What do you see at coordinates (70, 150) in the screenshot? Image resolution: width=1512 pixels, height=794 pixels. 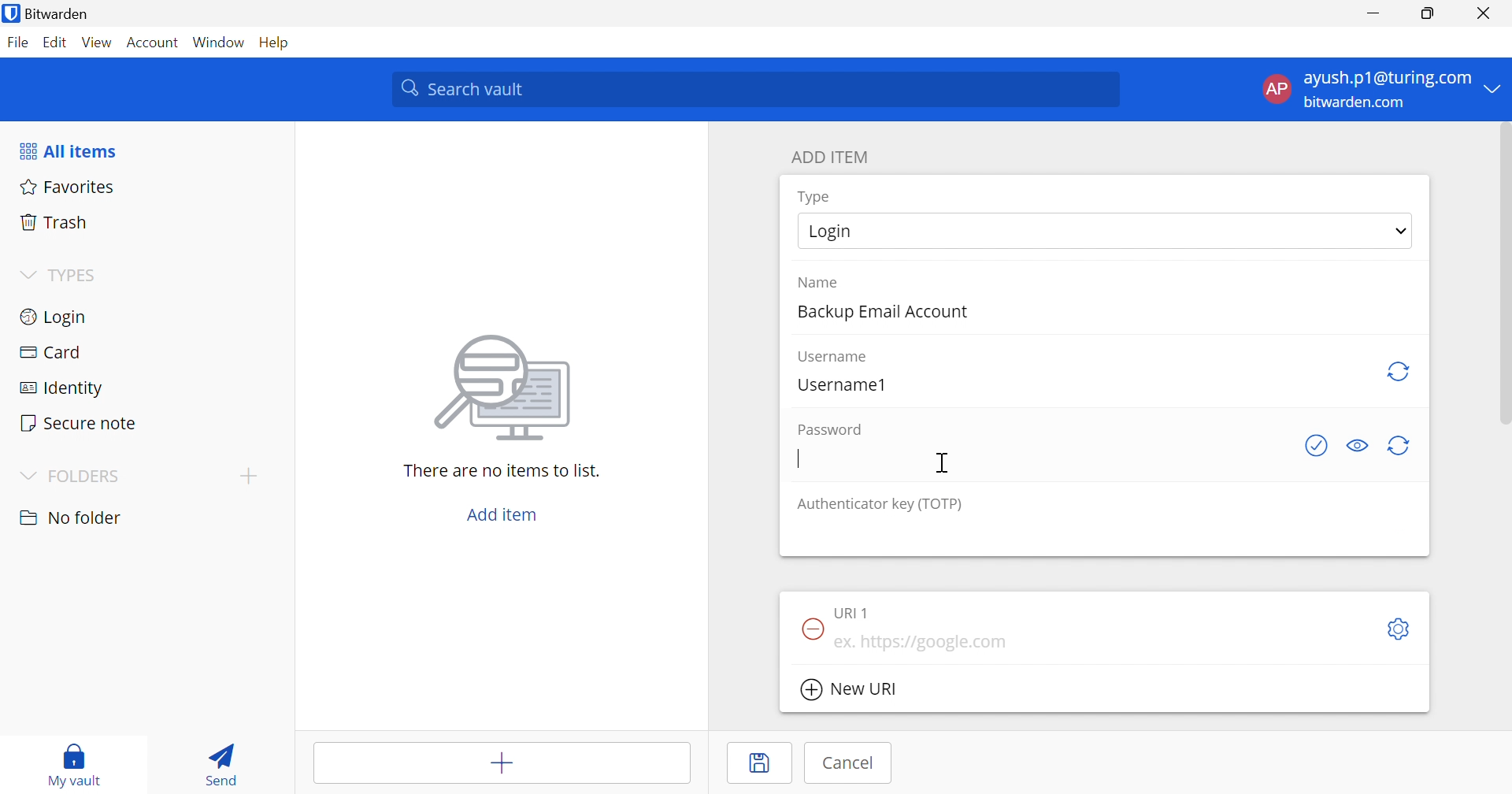 I see `All items` at bounding box center [70, 150].